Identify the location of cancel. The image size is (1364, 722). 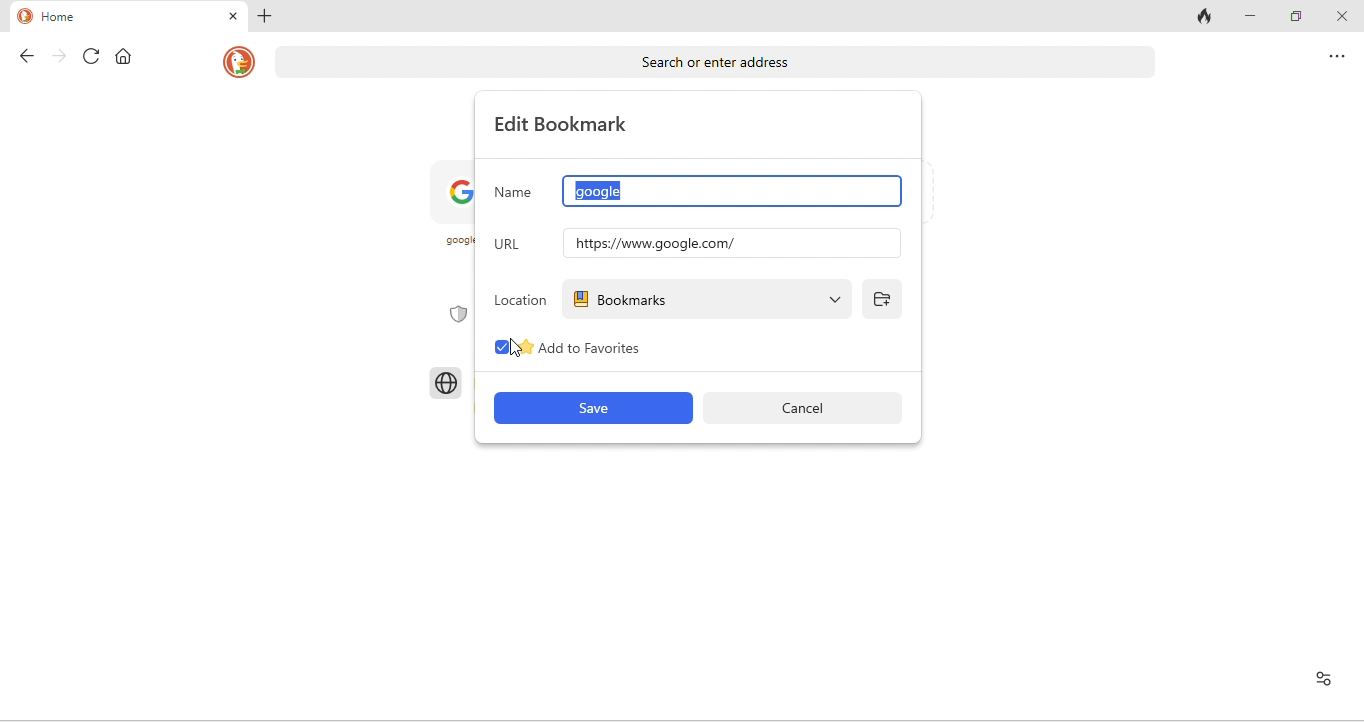
(812, 408).